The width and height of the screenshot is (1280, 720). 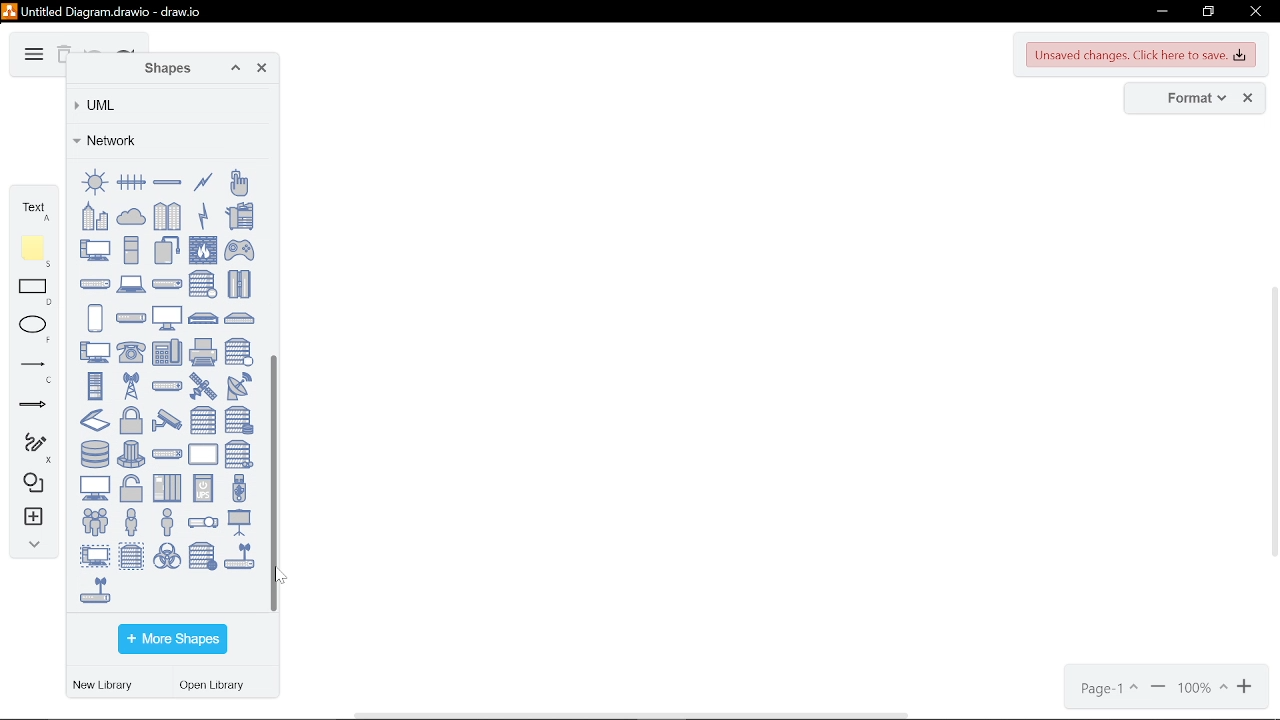 What do you see at coordinates (203, 284) in the screenshot?
I see `mail server` at bounding box center [203, 284].